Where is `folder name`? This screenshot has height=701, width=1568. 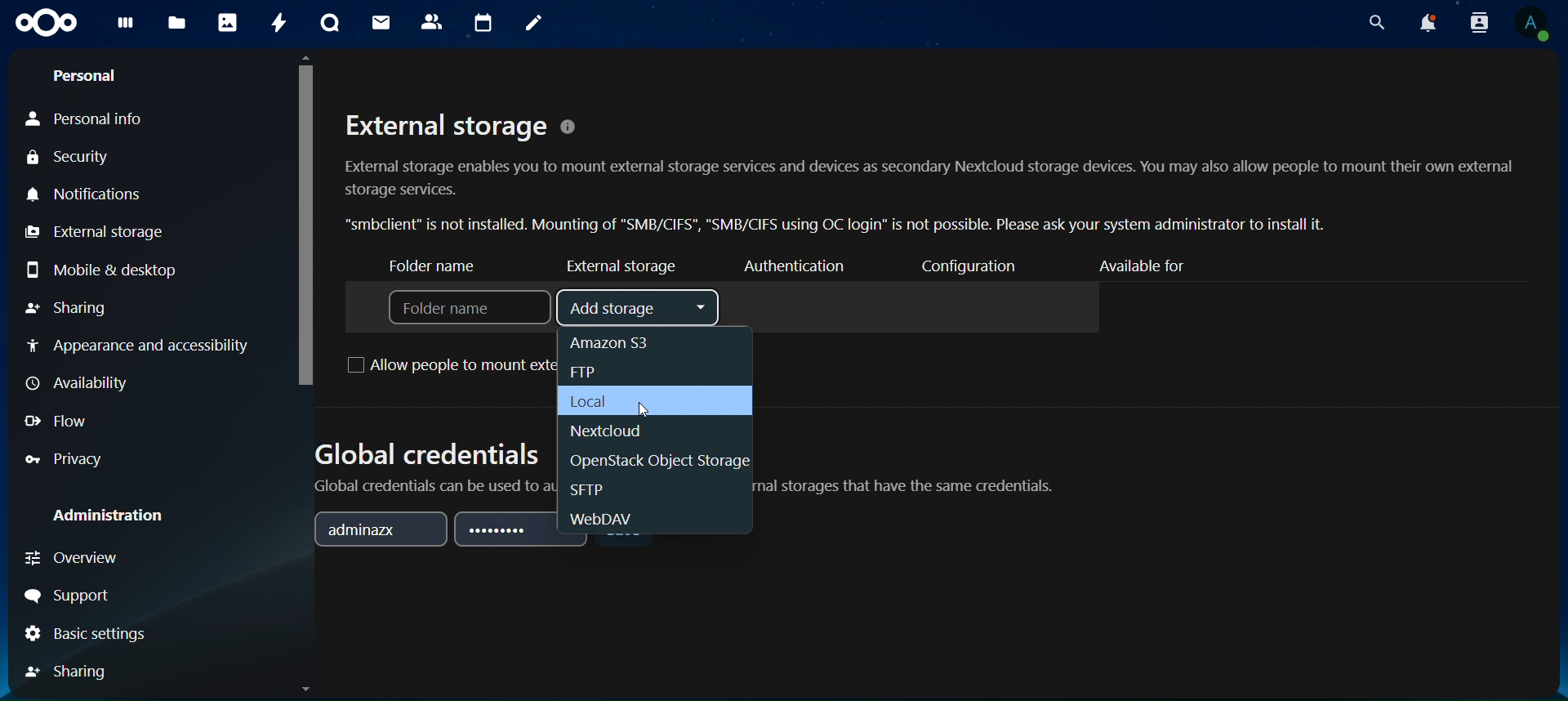
folder name is located at coordinates (470, 308).